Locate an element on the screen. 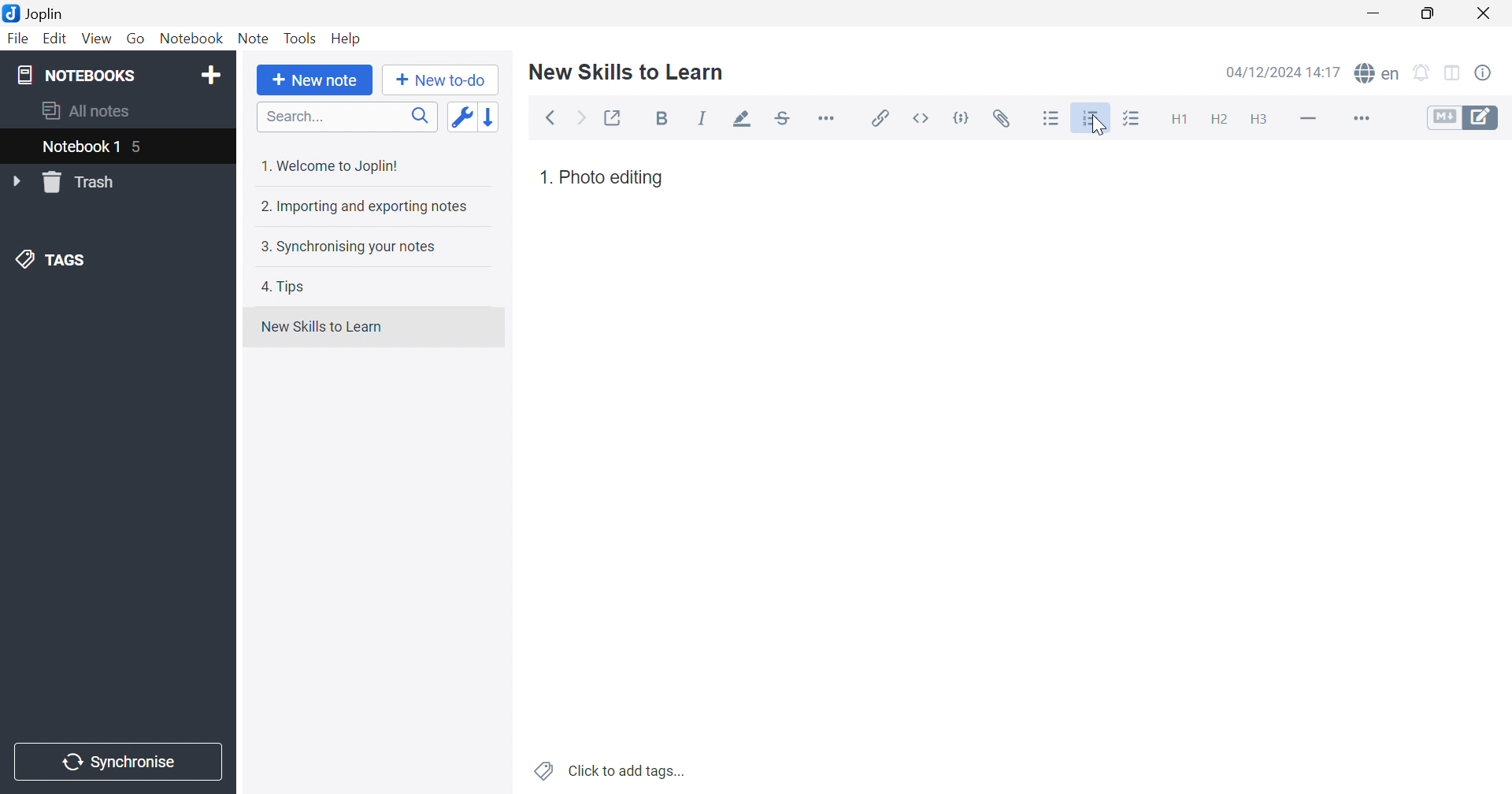 The width and height of the screenshot is (1512, 794). 4. Tips is located at coordinates (283, 287).